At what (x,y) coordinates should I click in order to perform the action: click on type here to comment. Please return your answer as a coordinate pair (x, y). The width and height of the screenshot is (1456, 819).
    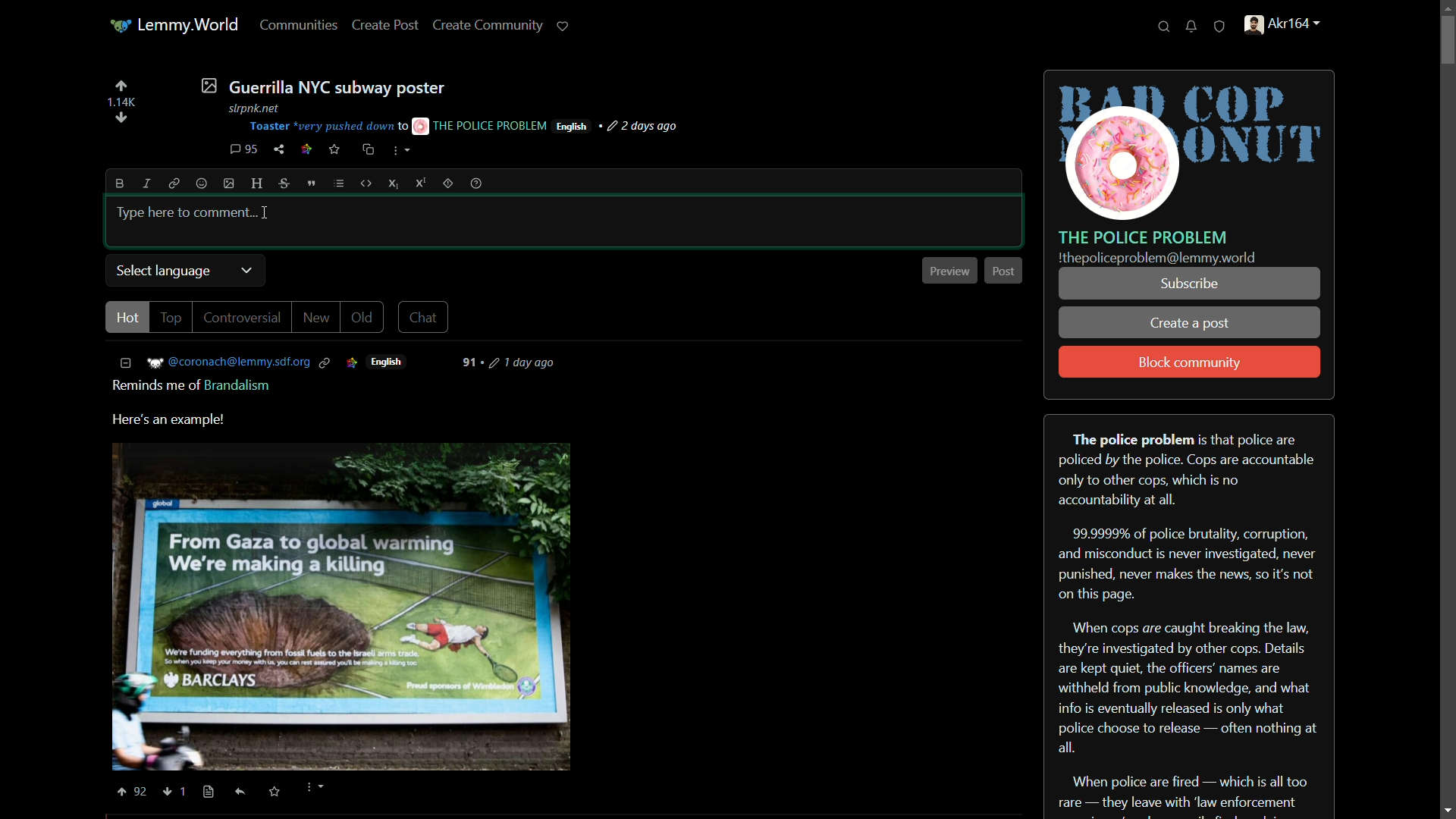
    Looking at the image, I should click on (184, 211).